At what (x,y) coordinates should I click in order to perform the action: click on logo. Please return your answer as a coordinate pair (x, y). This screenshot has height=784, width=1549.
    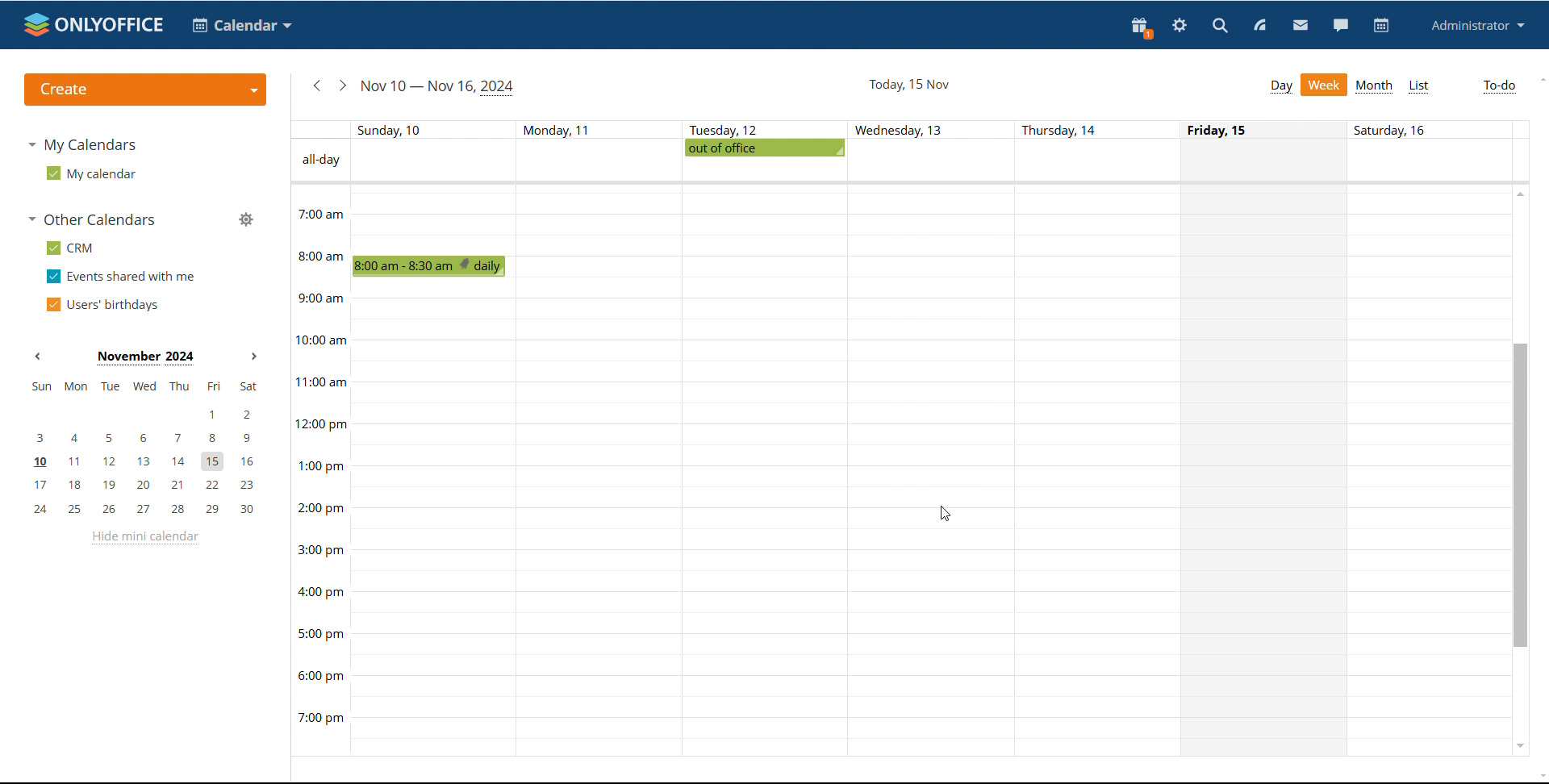
    Looking at the image, I should click on (94, 26).